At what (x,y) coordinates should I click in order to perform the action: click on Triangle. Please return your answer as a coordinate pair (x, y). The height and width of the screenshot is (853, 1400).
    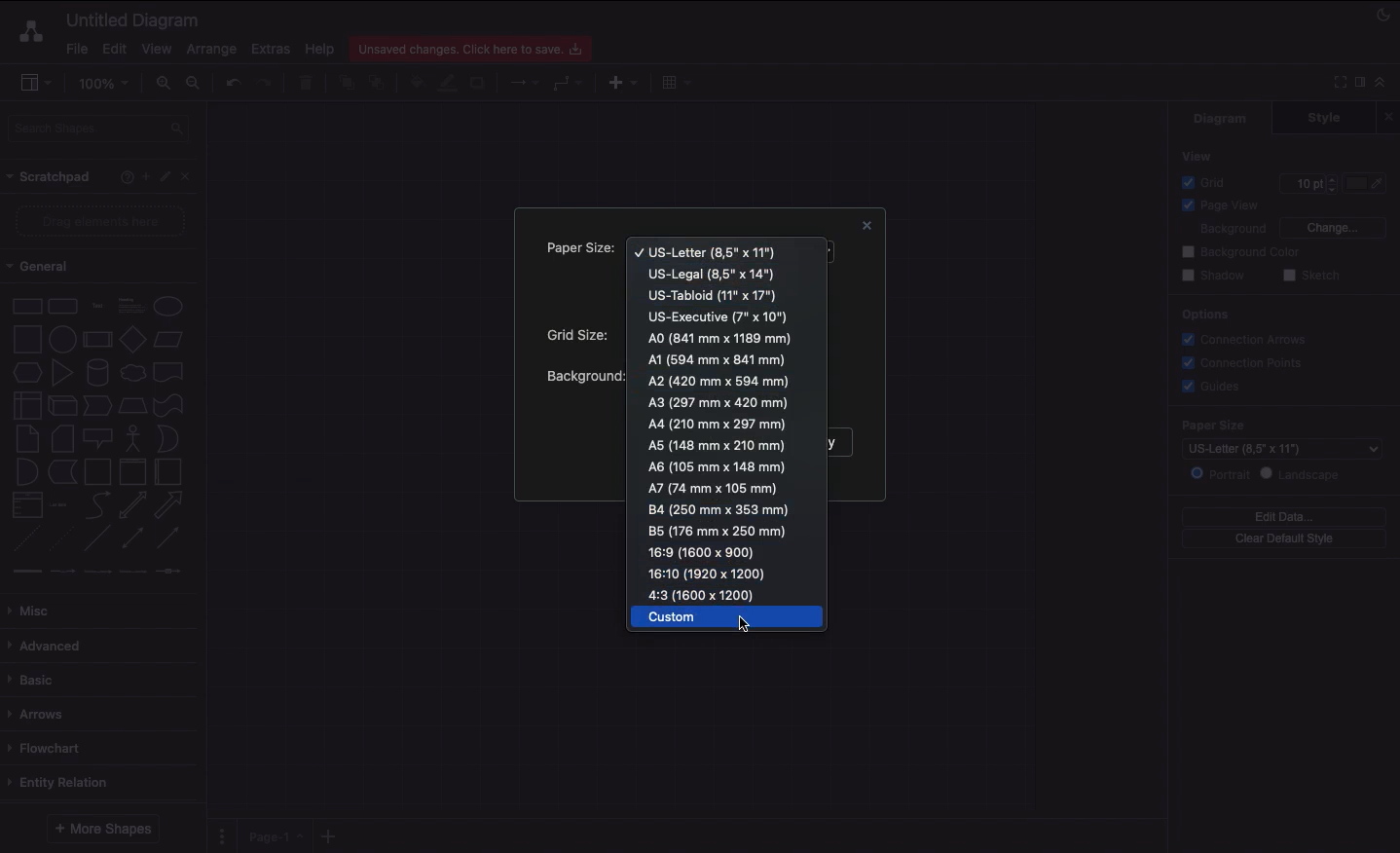
    Looking at the image, I should click on (62, 372).